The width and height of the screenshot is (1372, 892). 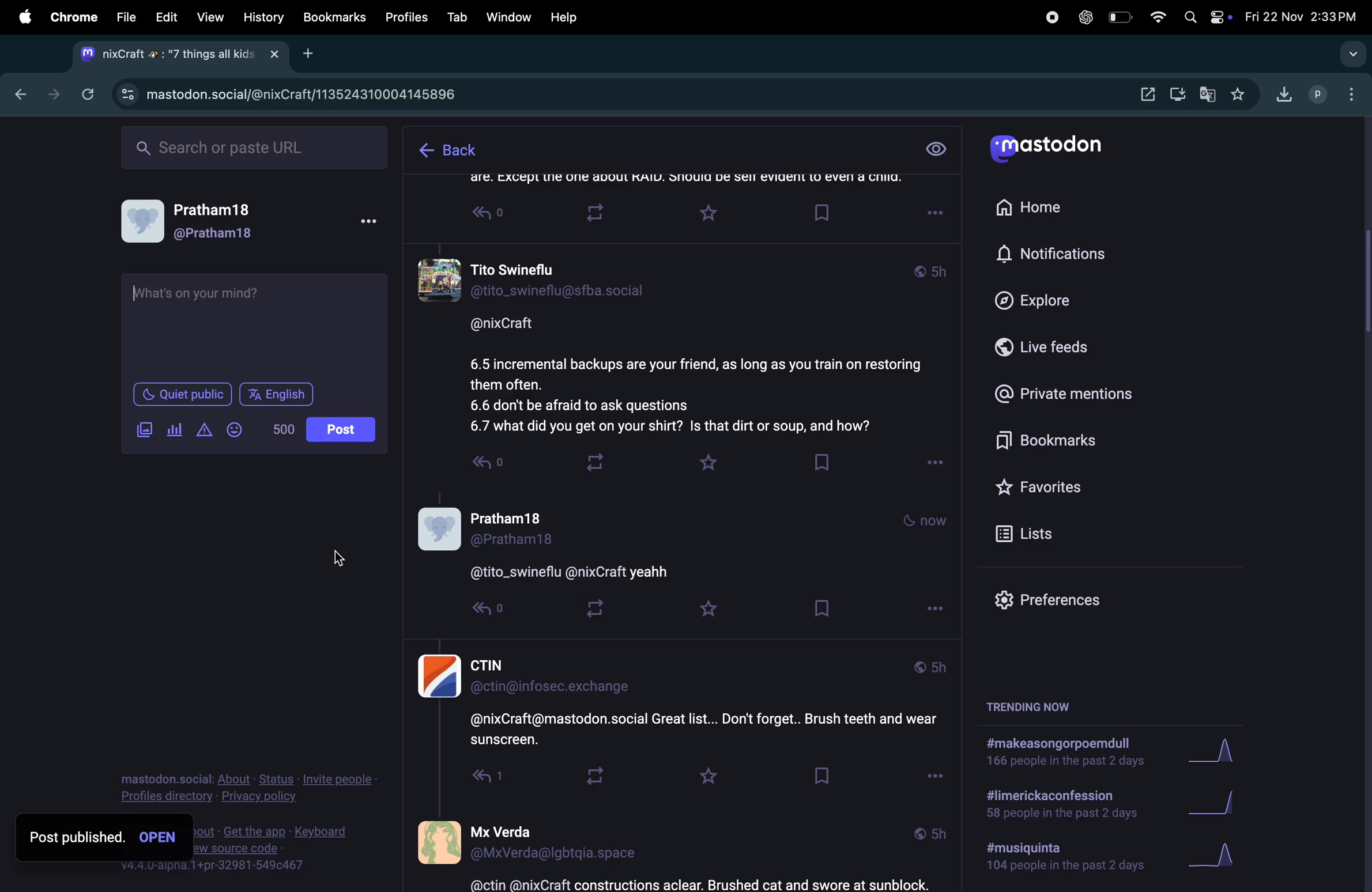 What do you see at coordinates (1156, 18) in the screenshot?
I see `wifi` at bounding box center [1156, 18].